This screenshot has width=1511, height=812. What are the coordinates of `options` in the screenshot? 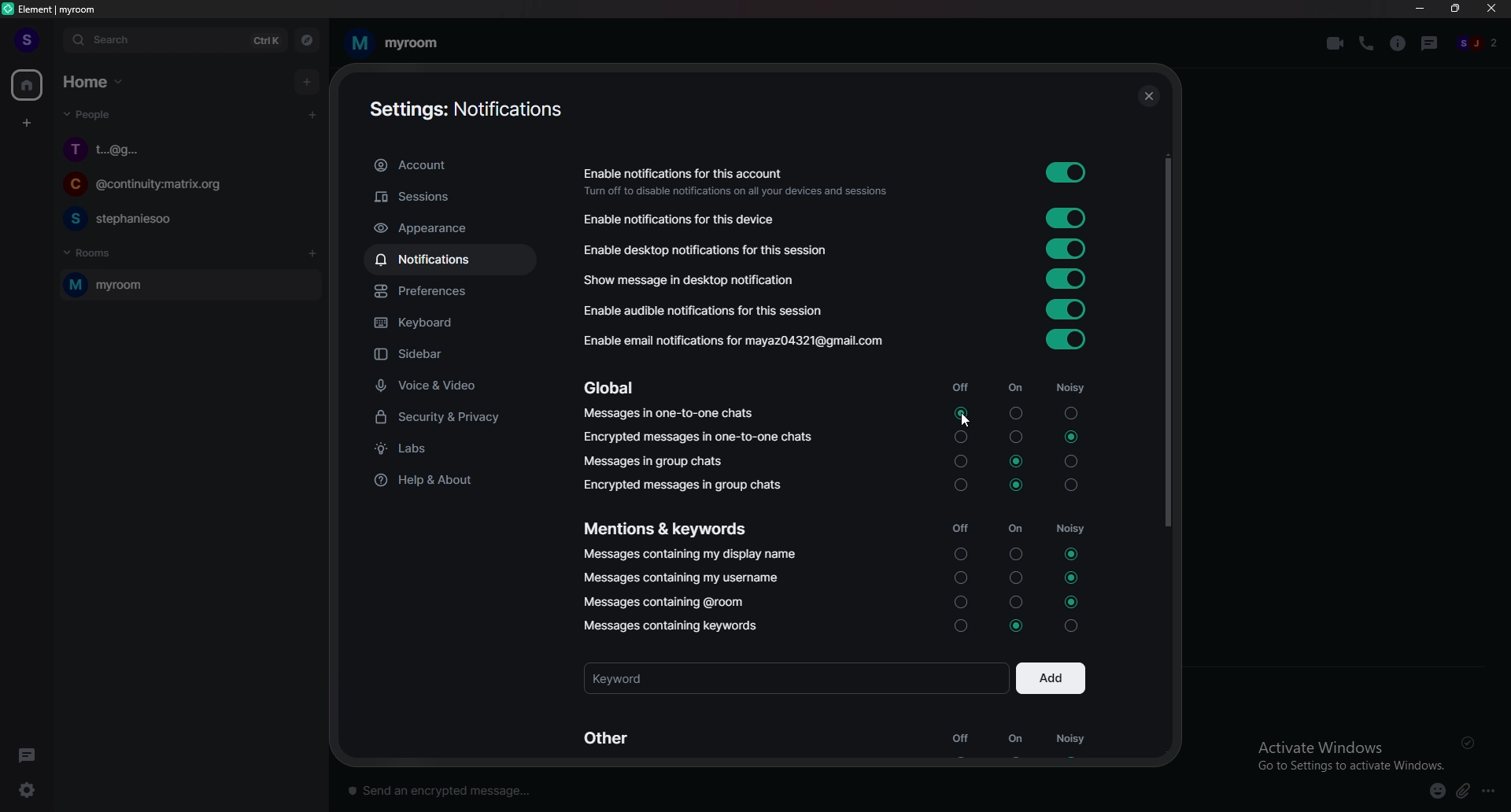 It's located at (1491, 788).